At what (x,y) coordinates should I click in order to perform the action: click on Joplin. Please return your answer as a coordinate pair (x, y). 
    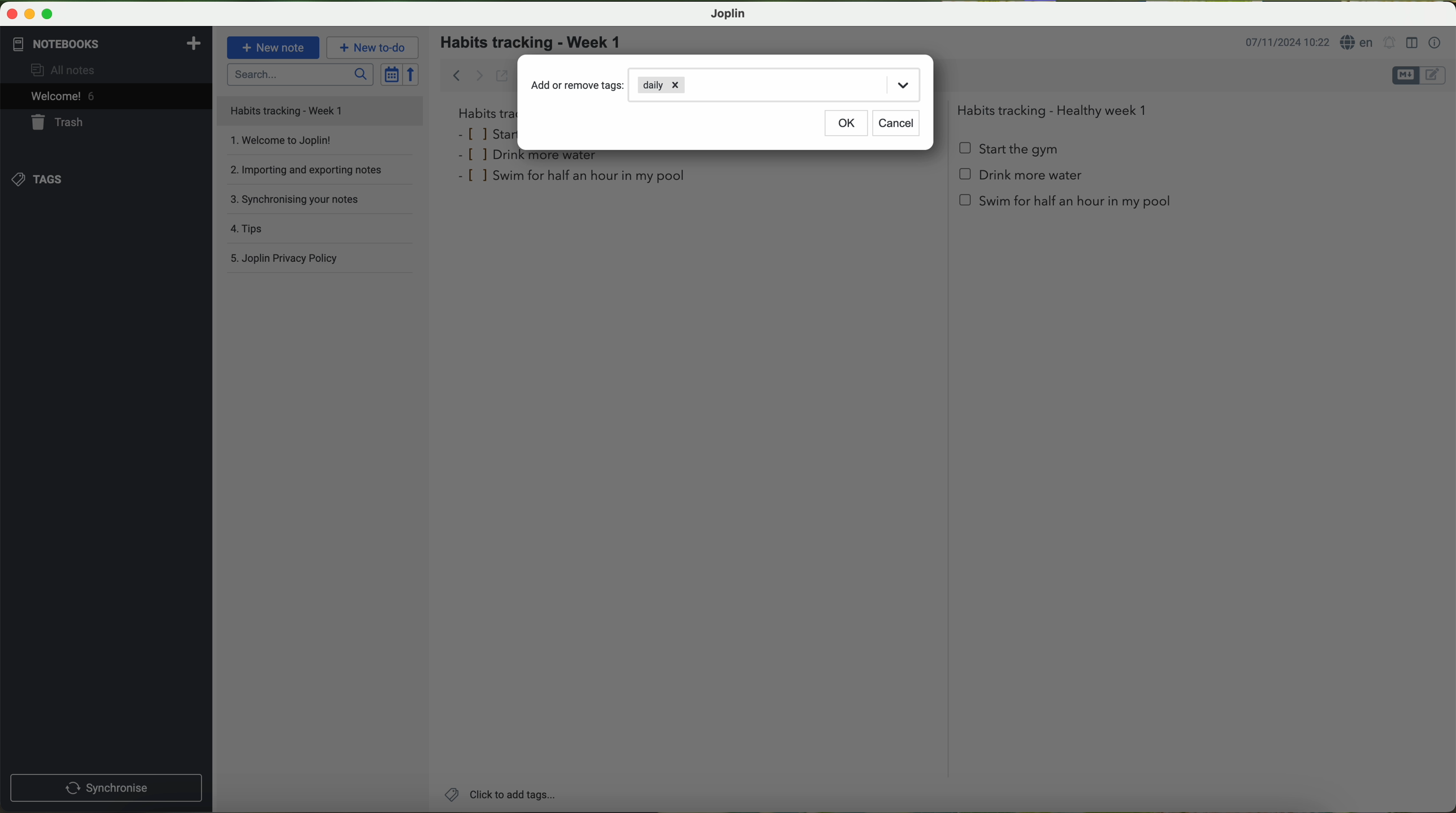
    Looking at the image, I should click on (727, 14).